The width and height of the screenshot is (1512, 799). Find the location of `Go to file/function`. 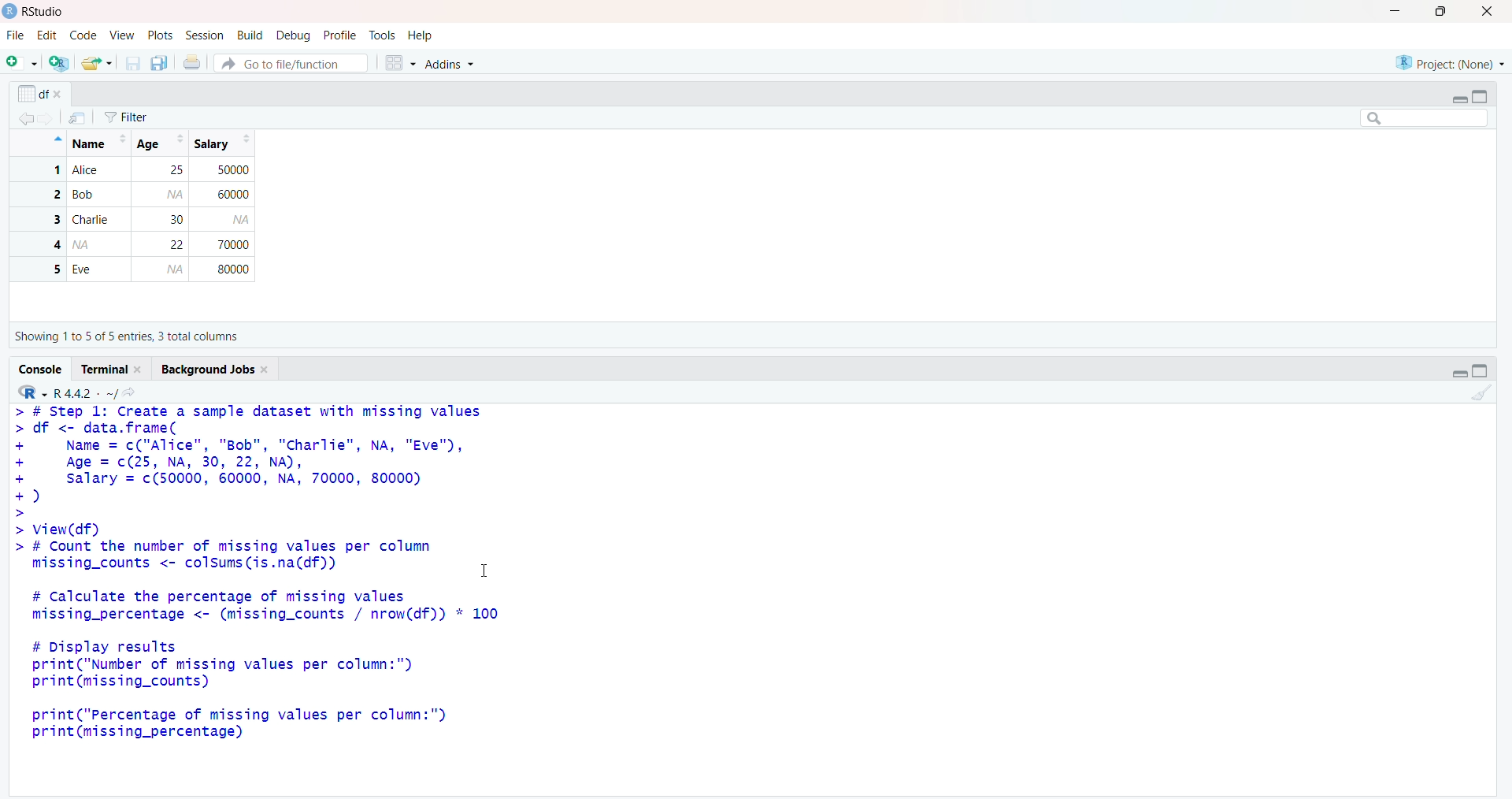

Go to file/function is located at coordinates (291, 62).